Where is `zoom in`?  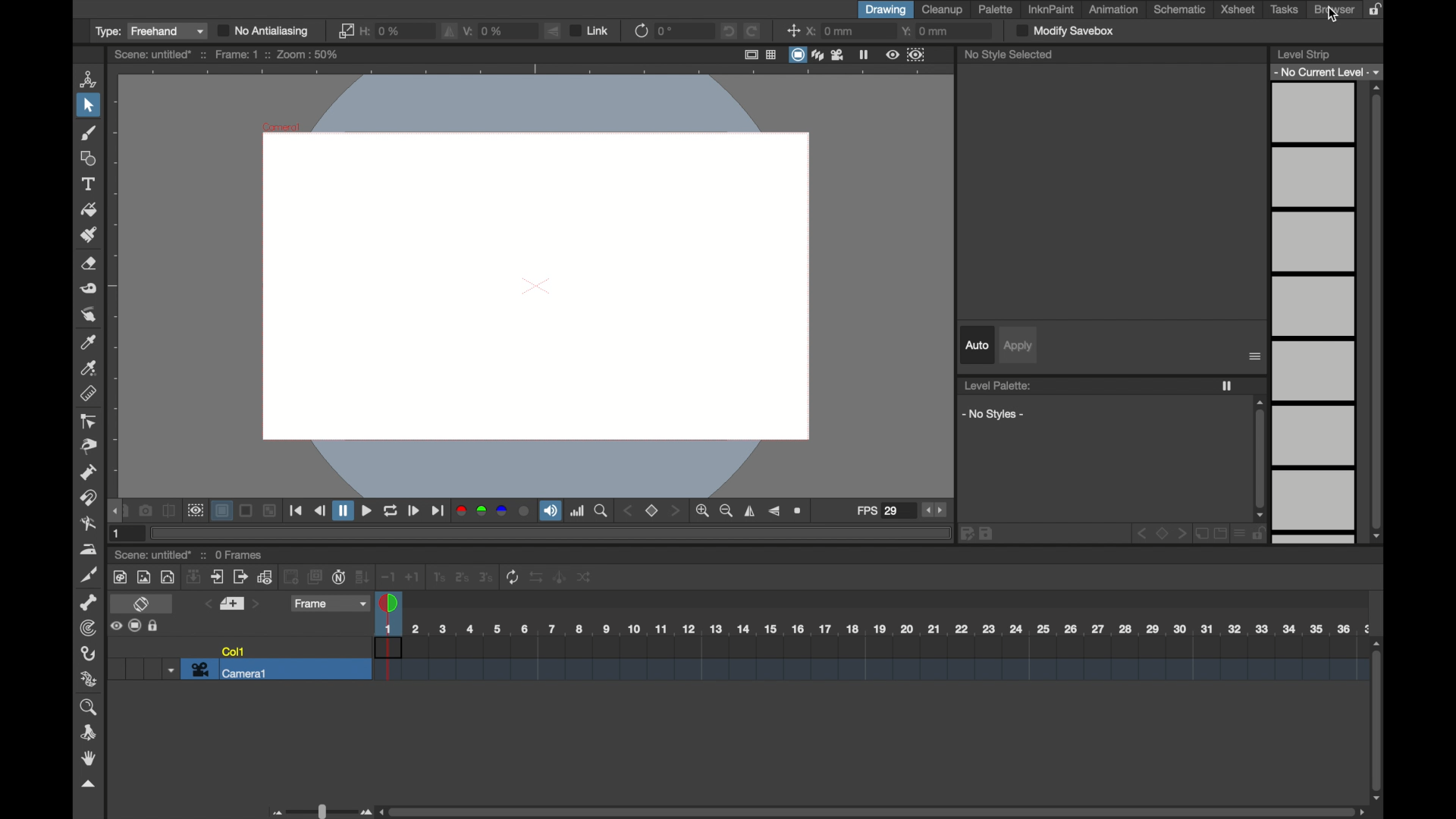
zoom in is located at coordinates (702, 511).